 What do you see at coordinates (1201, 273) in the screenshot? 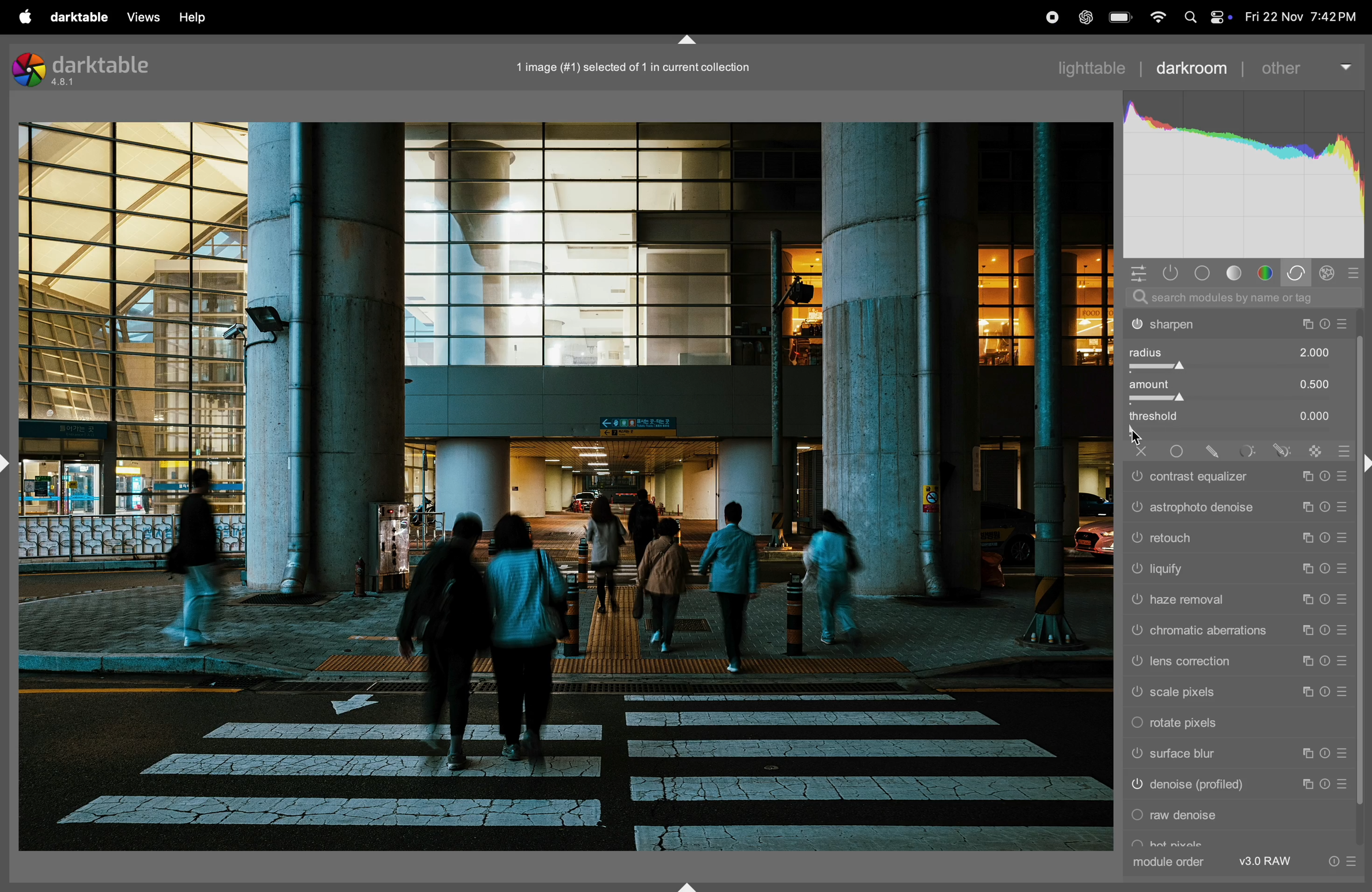
I see `base` at bounding box center [1201, 273].